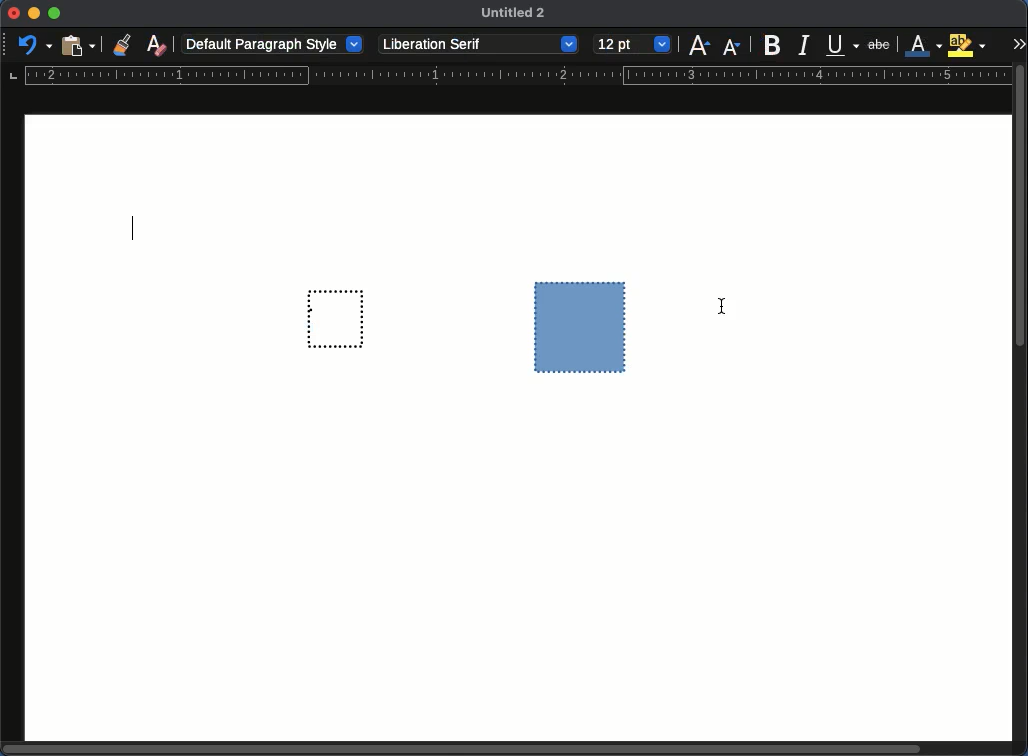 The image size is (1028, 756). Describe the element at coordinates (121, 43) in the screenshot. I see `clone formatting` at that location.